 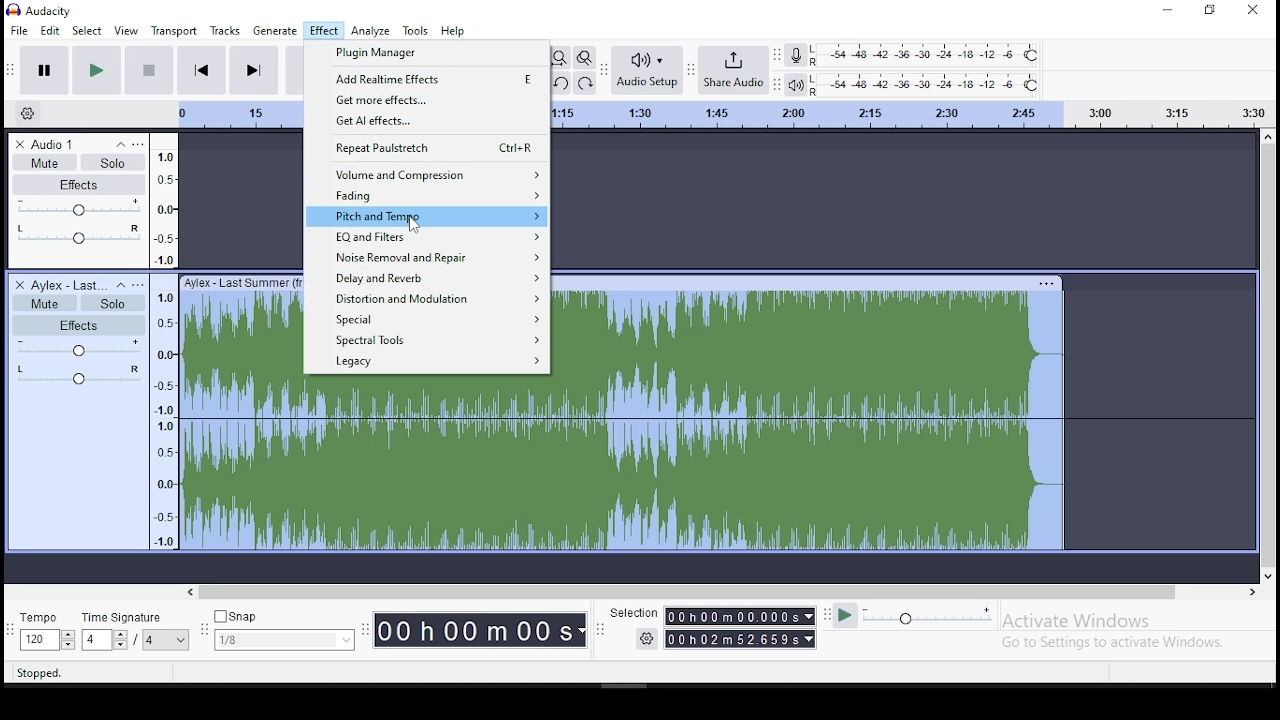 What do you see at coordinates (428, 122) in the screenshot?
I see `get AI effects` at bounding box center [428, 122].